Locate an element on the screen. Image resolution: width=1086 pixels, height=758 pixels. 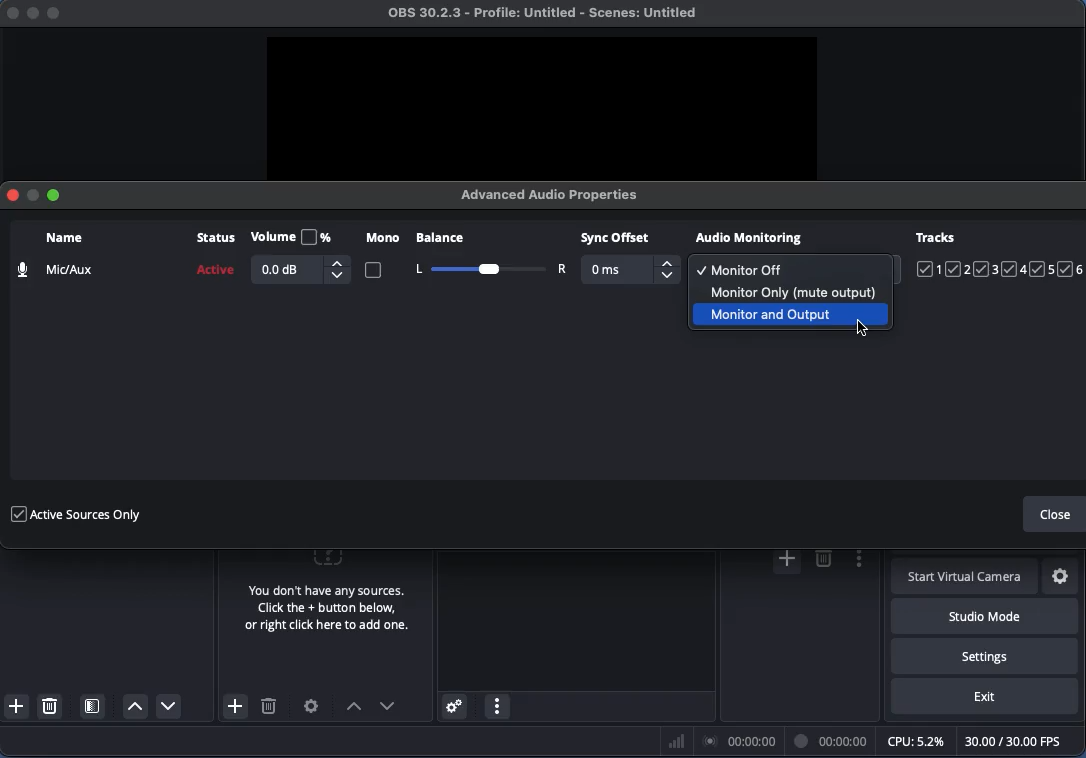
Advanced audio properties is located at coordinates (555, 194).